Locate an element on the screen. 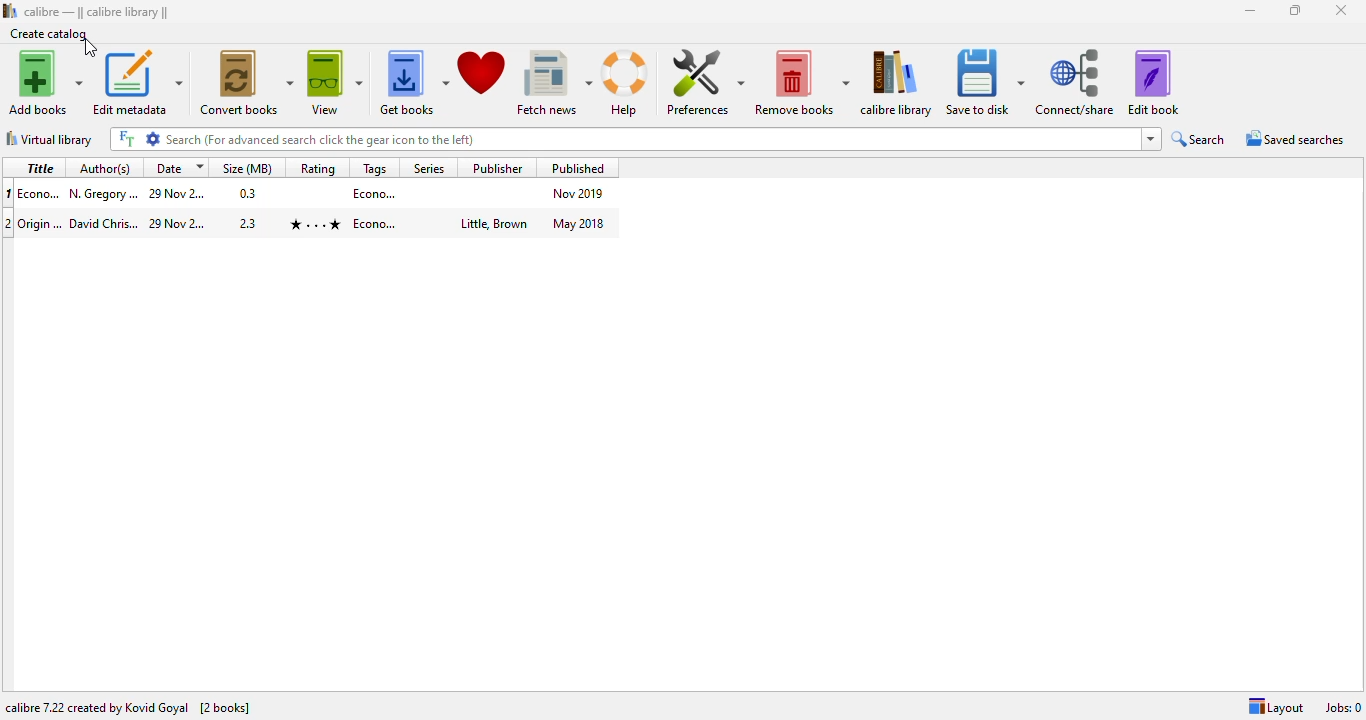 Image resolution: width=1366 pixels, height=720 pixels. publisher is located at coordinates (498, 167).